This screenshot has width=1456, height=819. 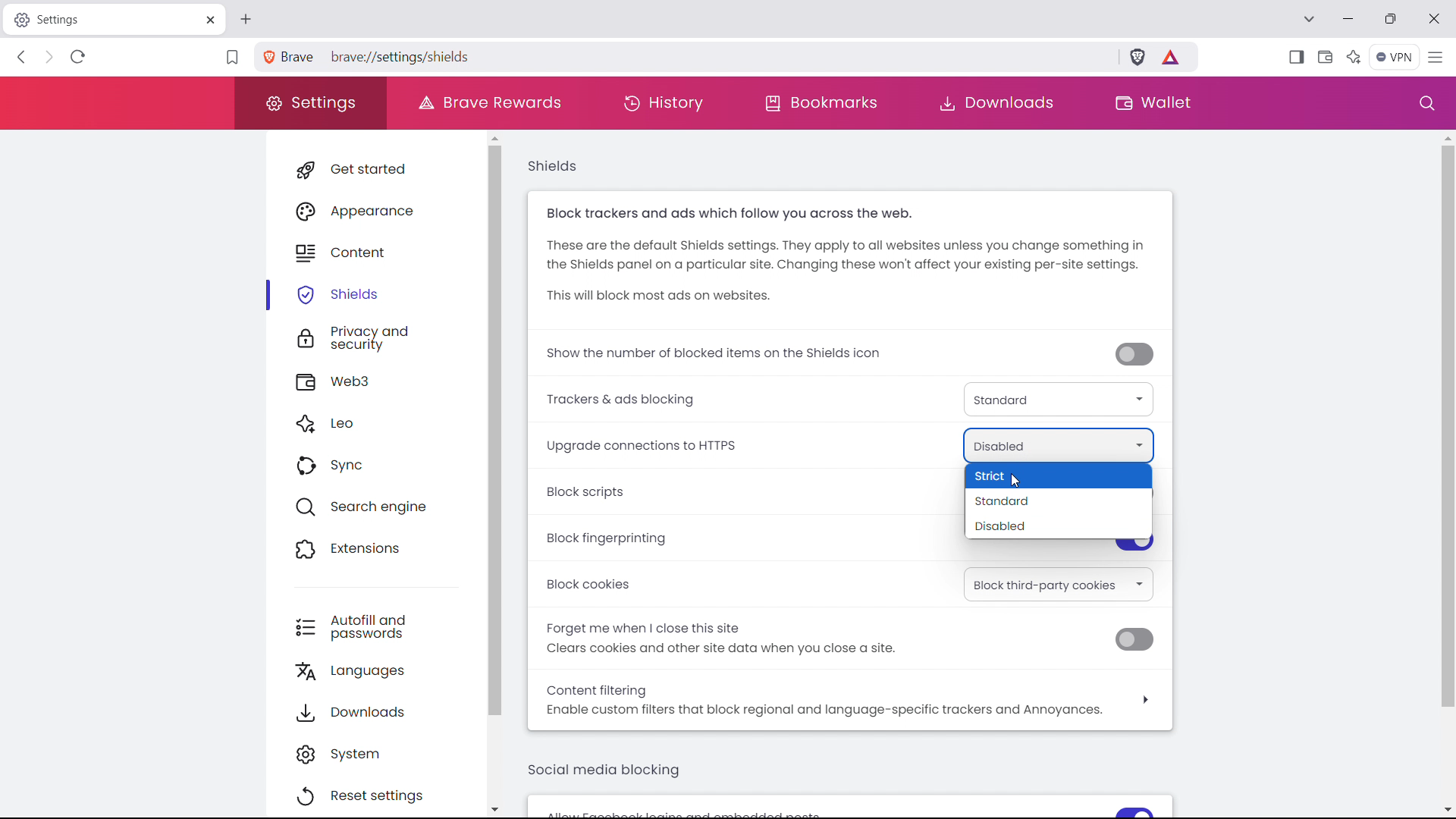 What do you see at coordinates (385, 169) in the screenshot?
I see `get started` at bounding box center [385, 169].